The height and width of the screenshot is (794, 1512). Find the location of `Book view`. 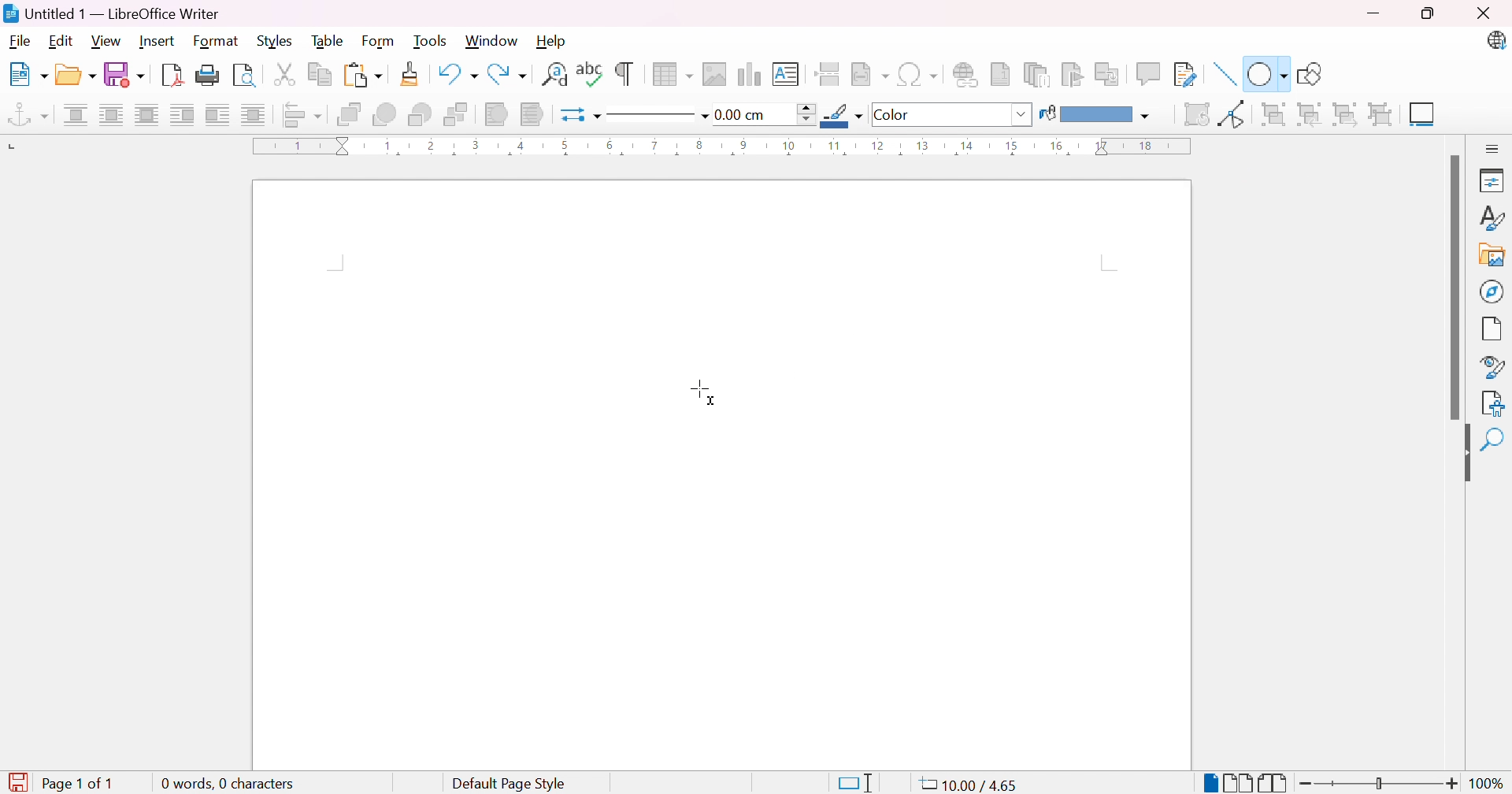

Book view is located at coordinates (1273, 784).